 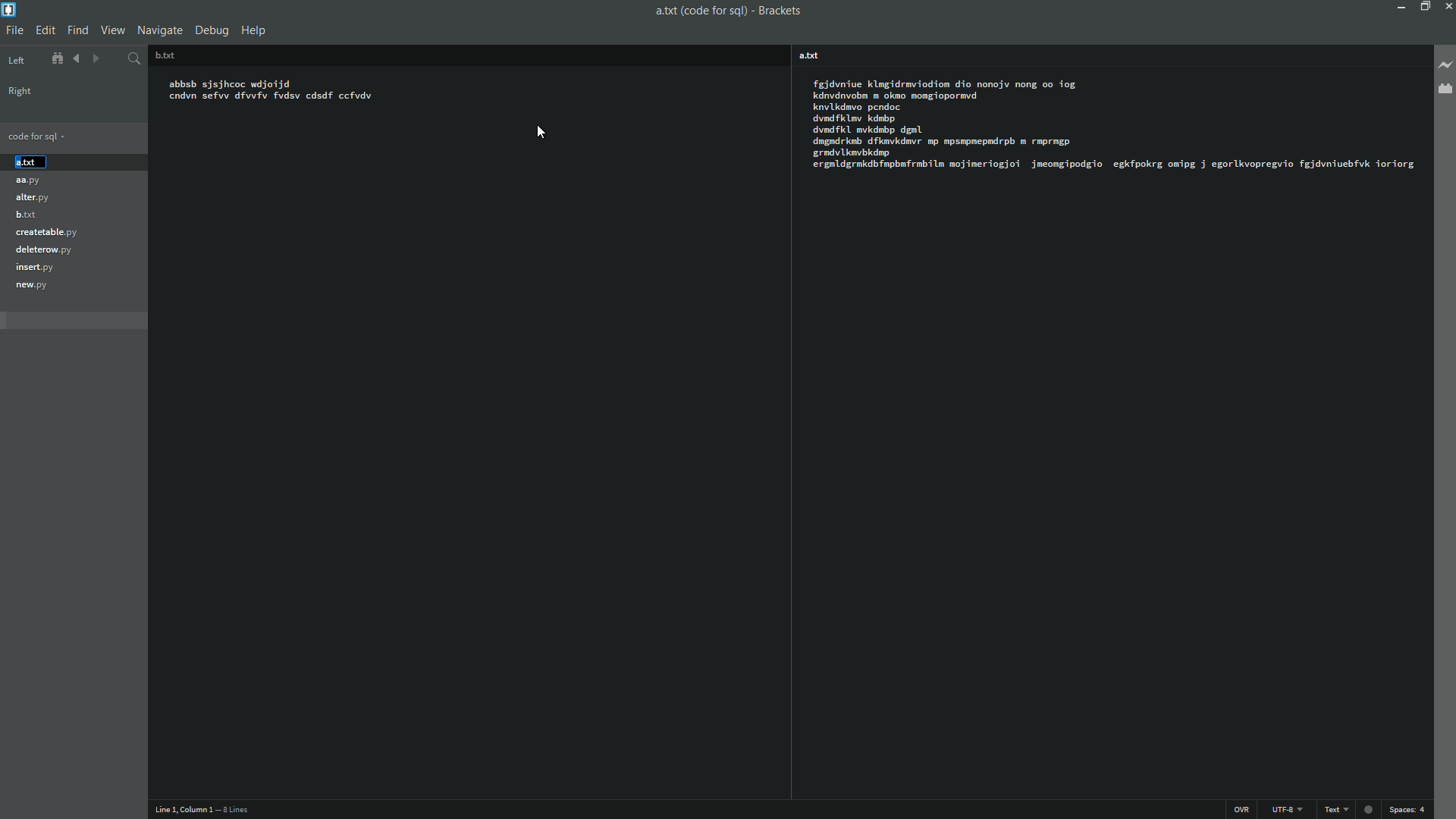 What do you see at coordinates (32, 196) in the screenshot?
I see `alter.py` at bounding box center [32, 196].